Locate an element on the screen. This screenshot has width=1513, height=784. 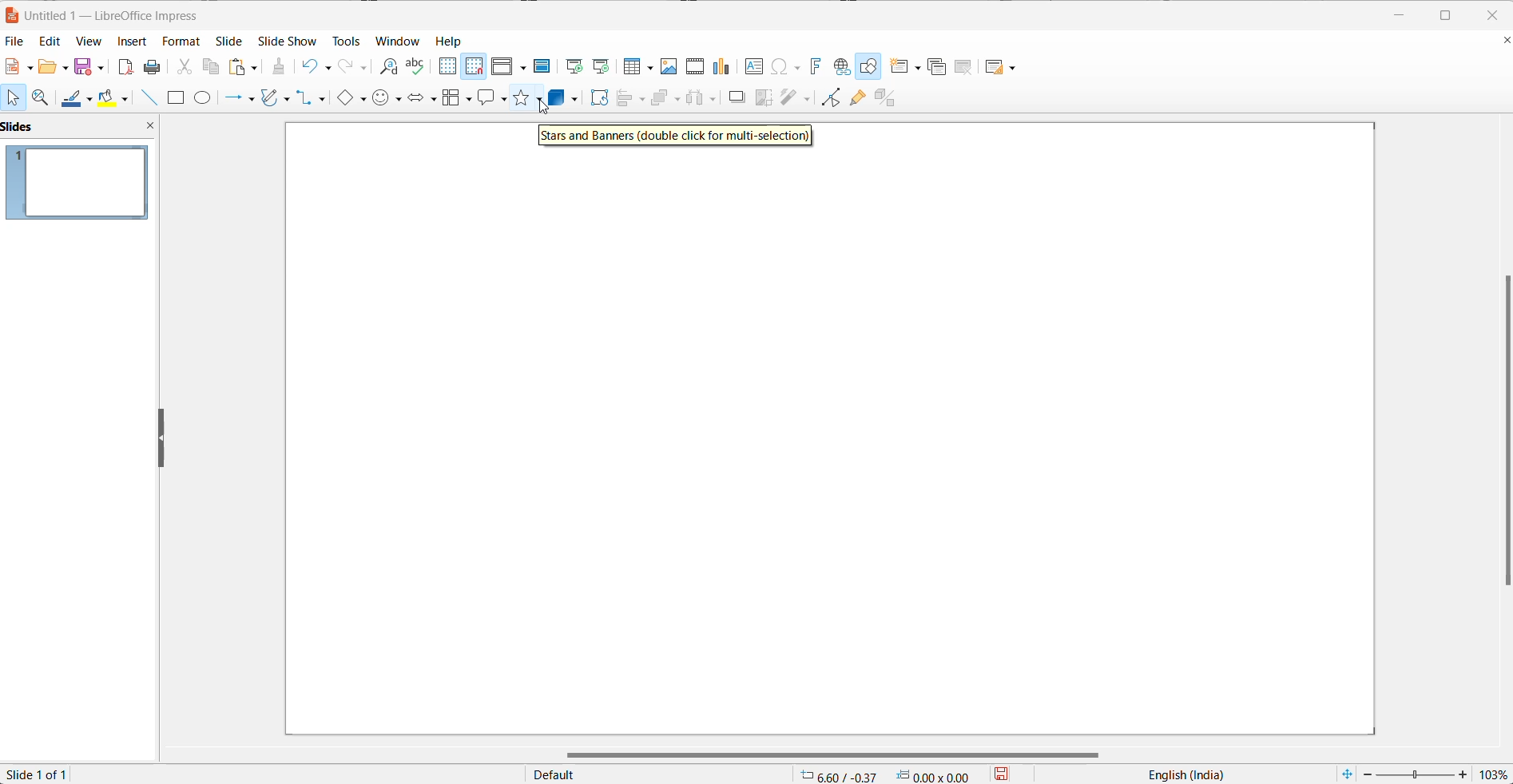
save button is located at coordinates (1011, 774).